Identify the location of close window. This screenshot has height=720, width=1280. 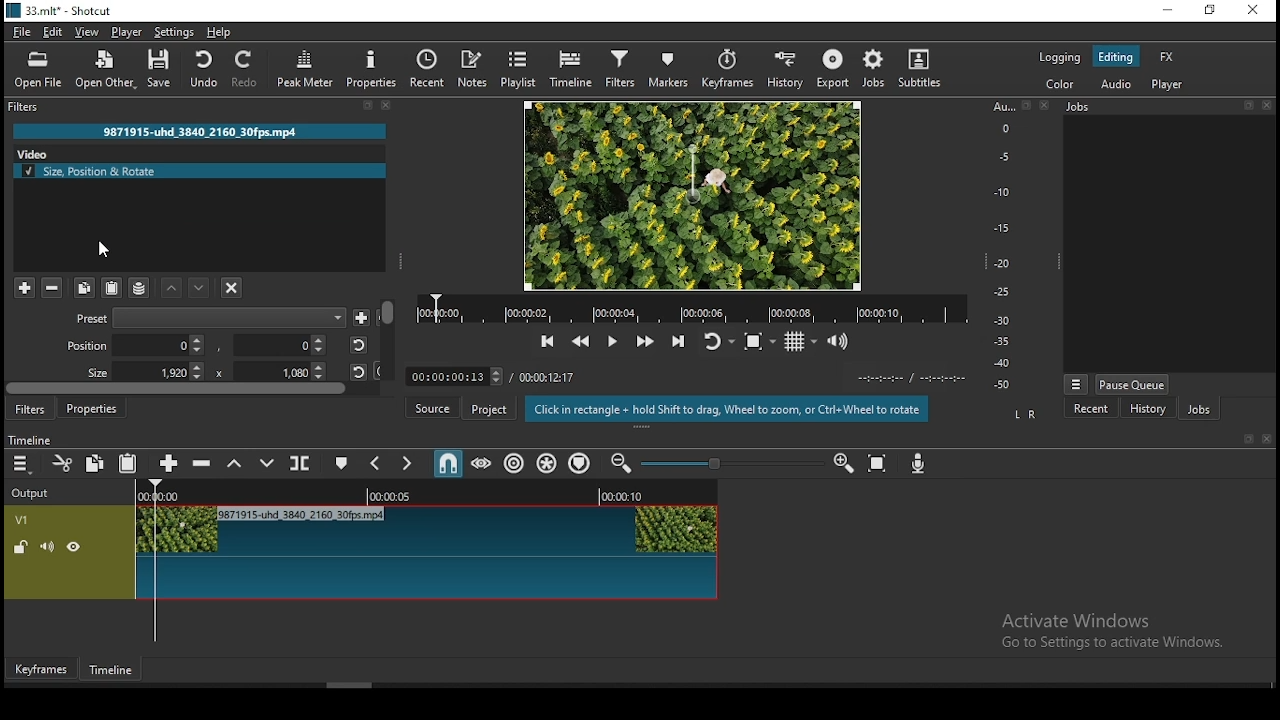
(1250, 10).